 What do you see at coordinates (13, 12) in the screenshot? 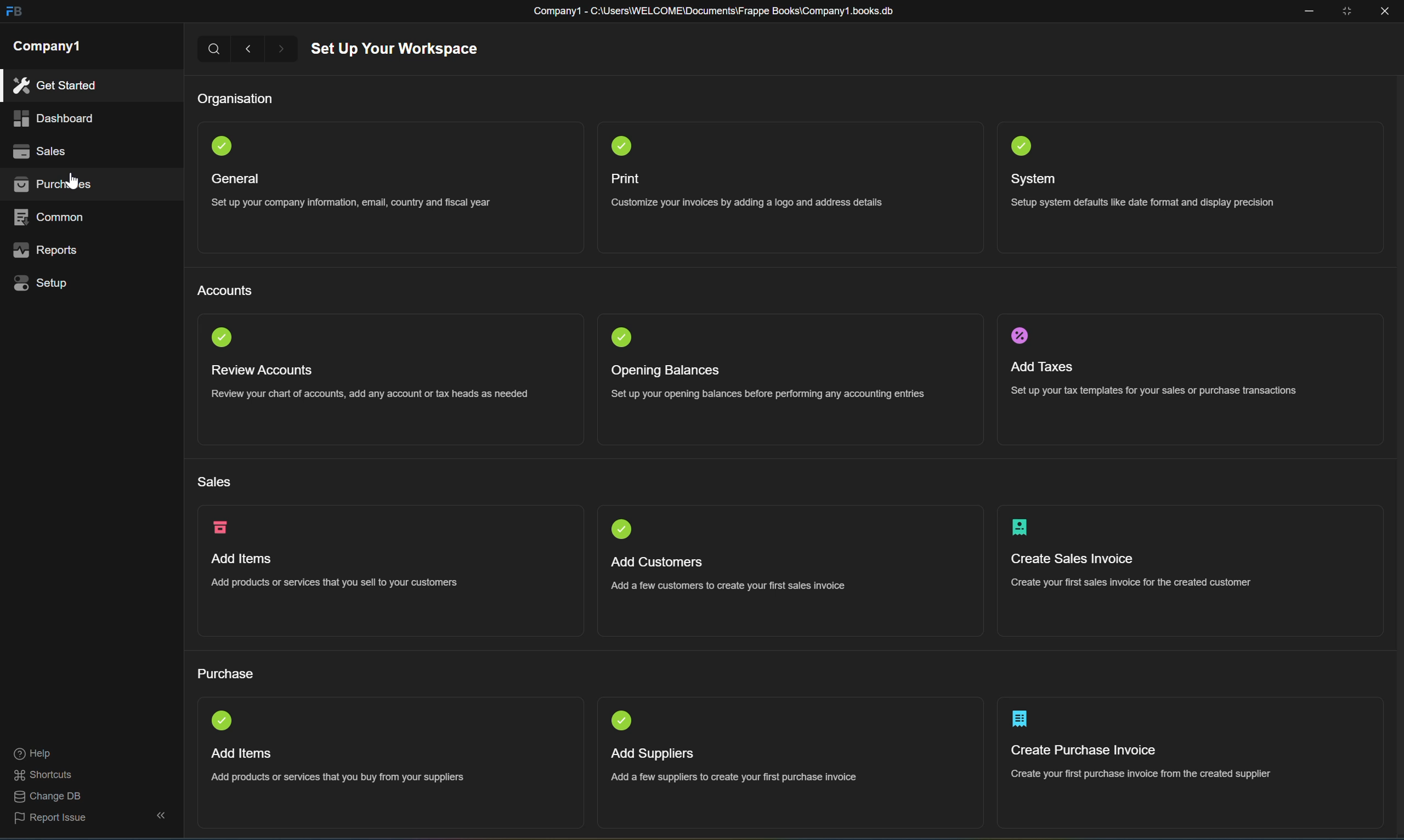
I see `FB` at bounding box center [13, 12].